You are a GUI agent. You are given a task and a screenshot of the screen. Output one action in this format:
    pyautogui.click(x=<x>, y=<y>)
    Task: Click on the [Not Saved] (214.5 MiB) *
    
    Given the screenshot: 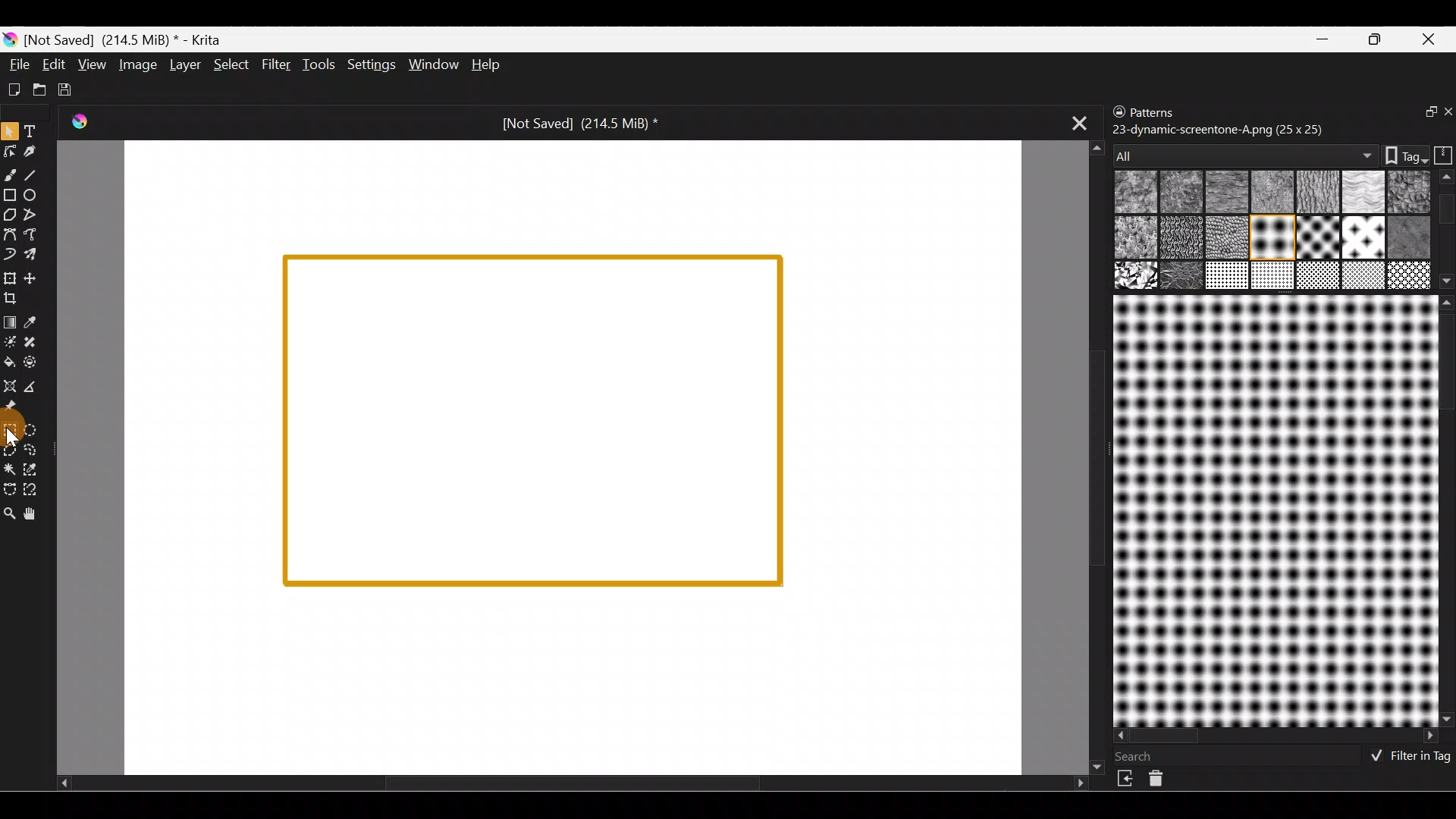 What is the action you would take?
    pyautogui.click(x=579, y=124)
    